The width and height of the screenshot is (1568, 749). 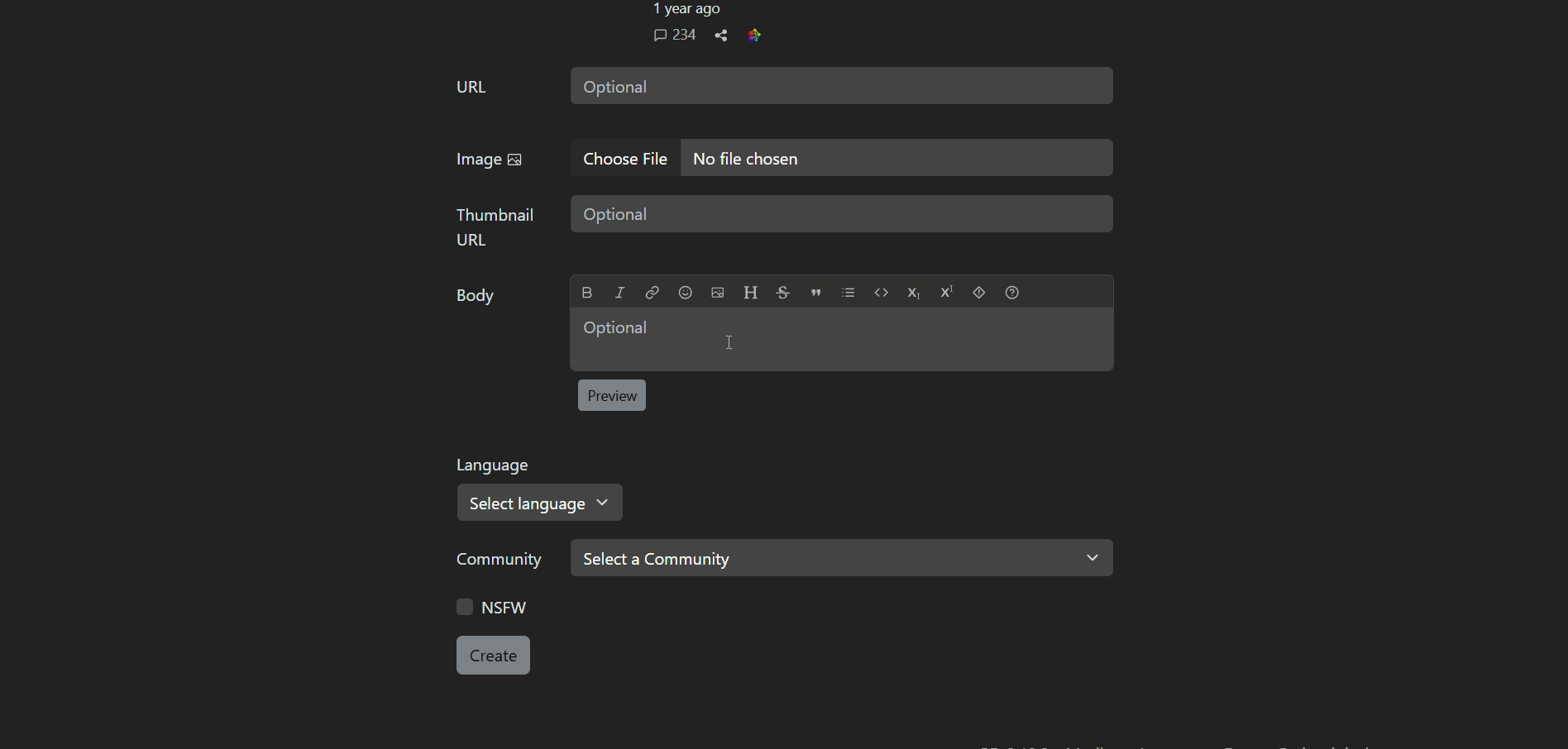 What do you see at coordinates (476, 296) in the screenshot?
I see `Body` at bounding box center [476, 296].